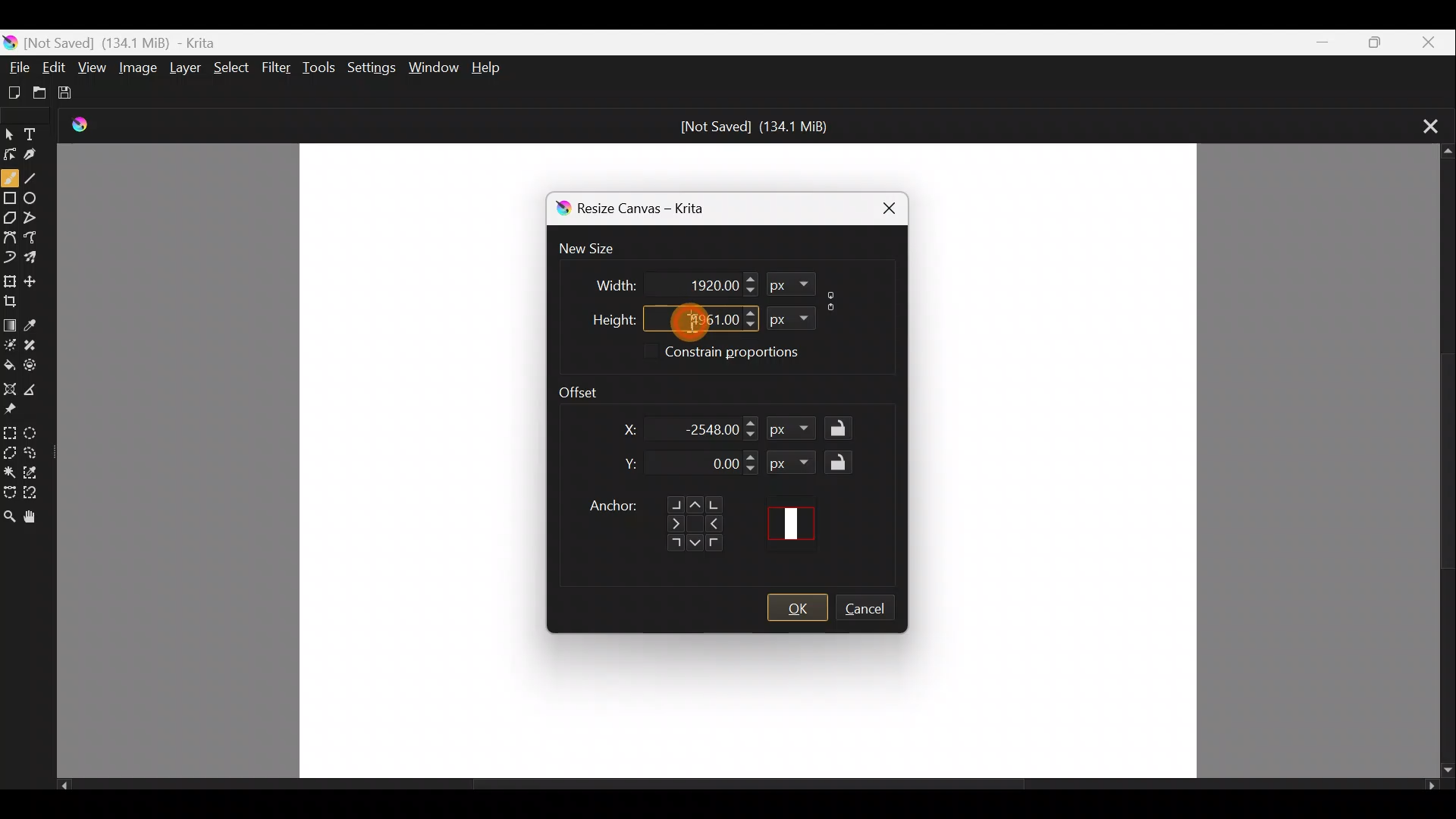 The width and height of the screenshot is (1456, 819). What do you see at coordinates (12, 411) in the screenshot?
I see `Reference images tool` at bounding box center [12, 411].